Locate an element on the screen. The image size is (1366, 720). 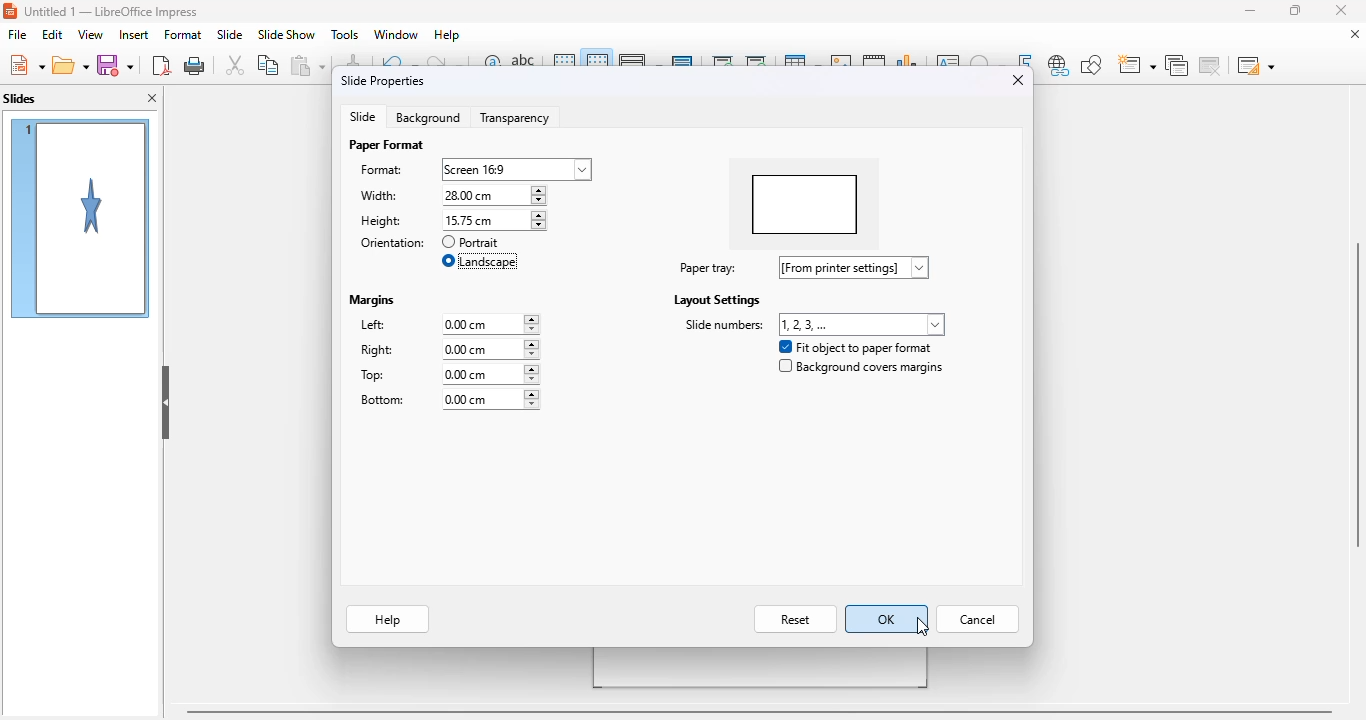
copy is located at coordinates (269, 65).